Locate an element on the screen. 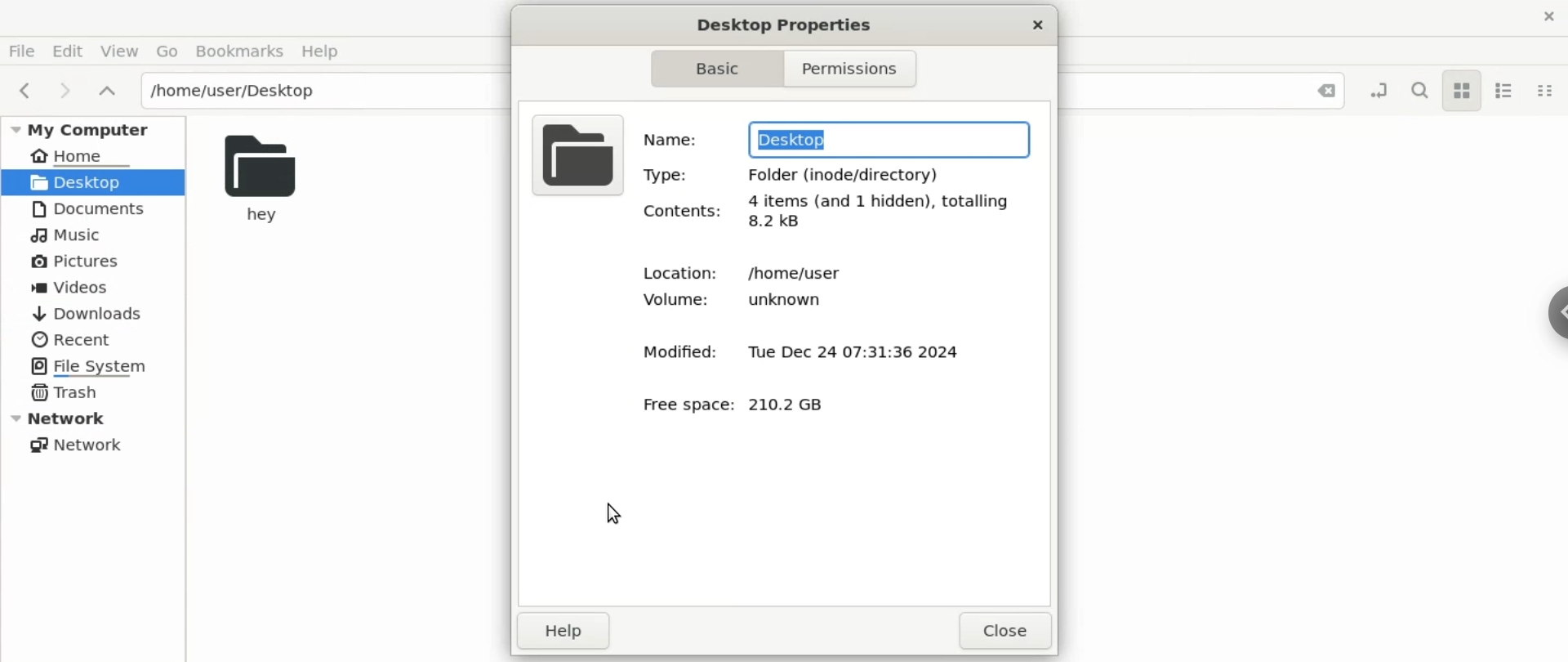 The image size is (1568, 662). network is located at coordinates (81, 445).